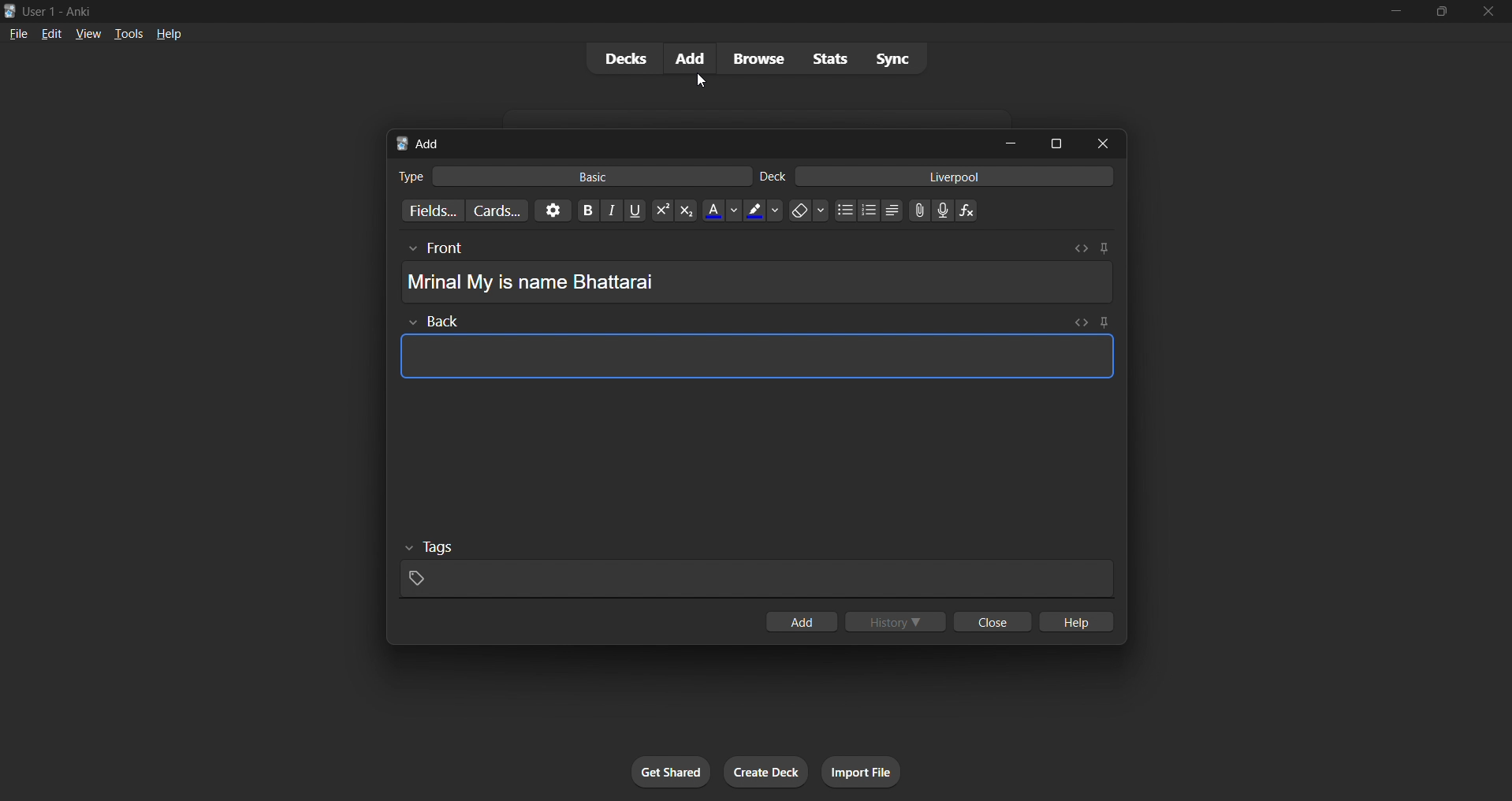 The height and width of the screenshot is (801, 1512). I want to click on text color, so click(720, 212).